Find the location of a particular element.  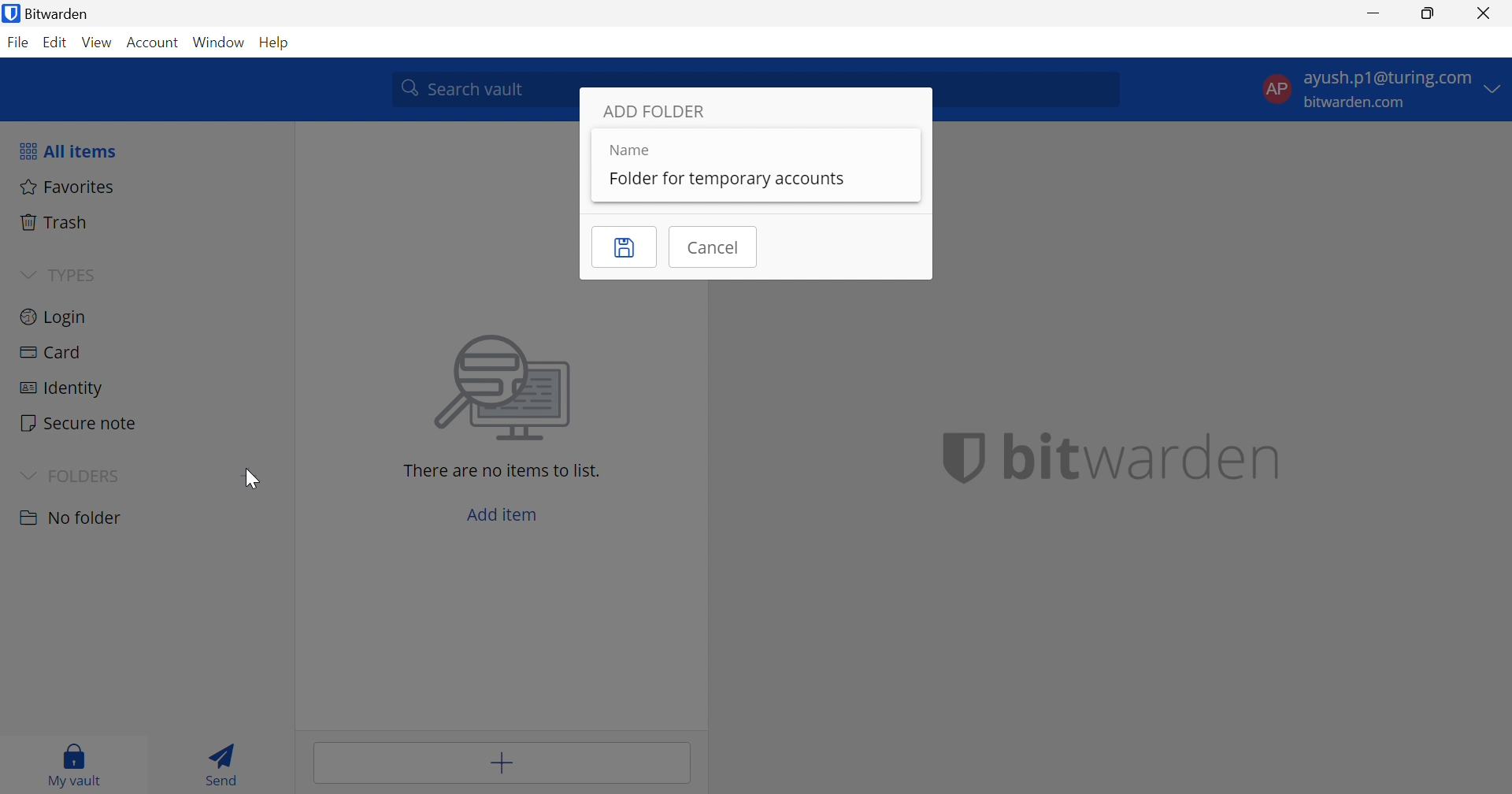

My vault is located at coordinates (70, 765).